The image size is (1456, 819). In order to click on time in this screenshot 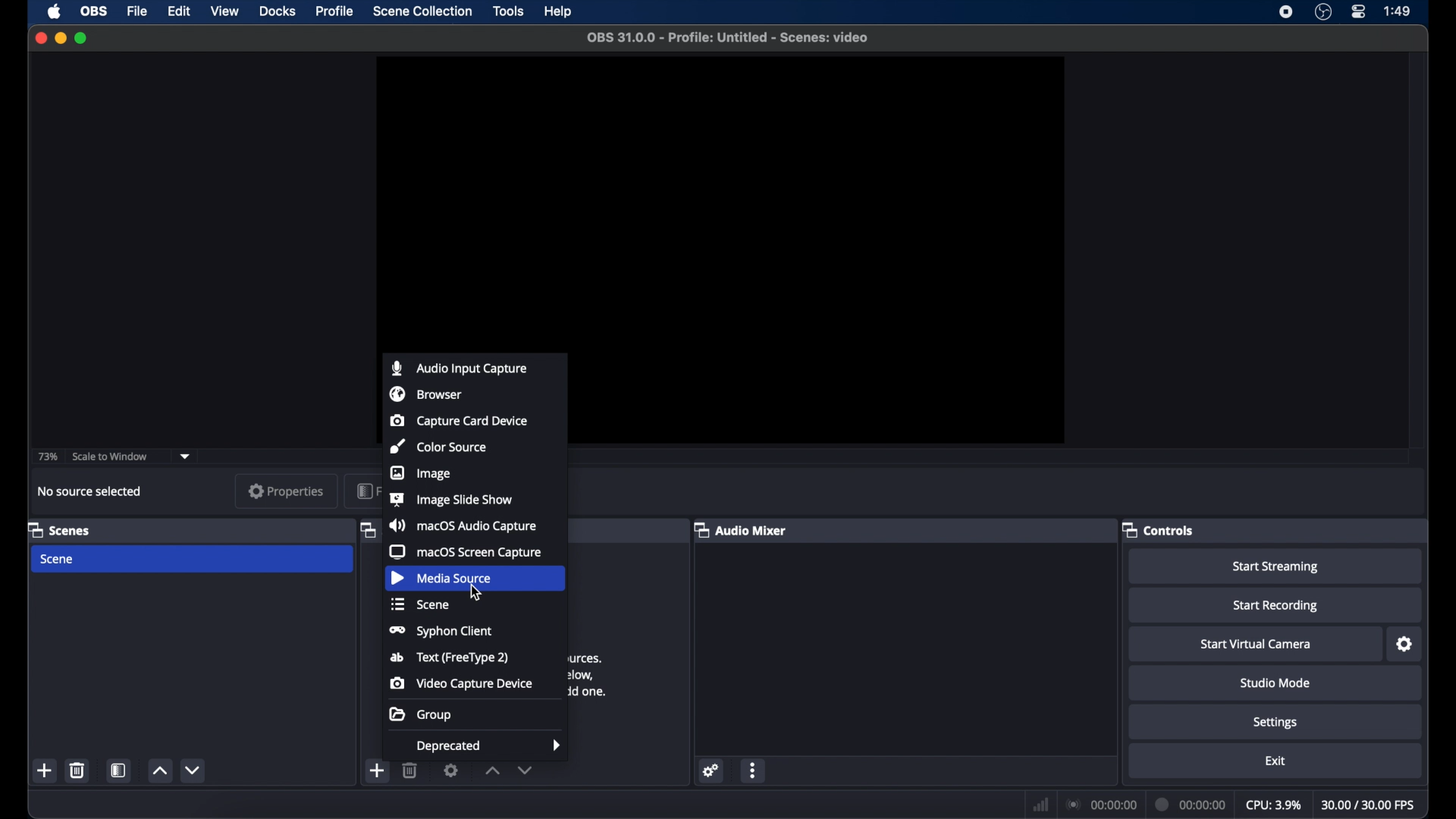, I will do `click(1398, 11)`.